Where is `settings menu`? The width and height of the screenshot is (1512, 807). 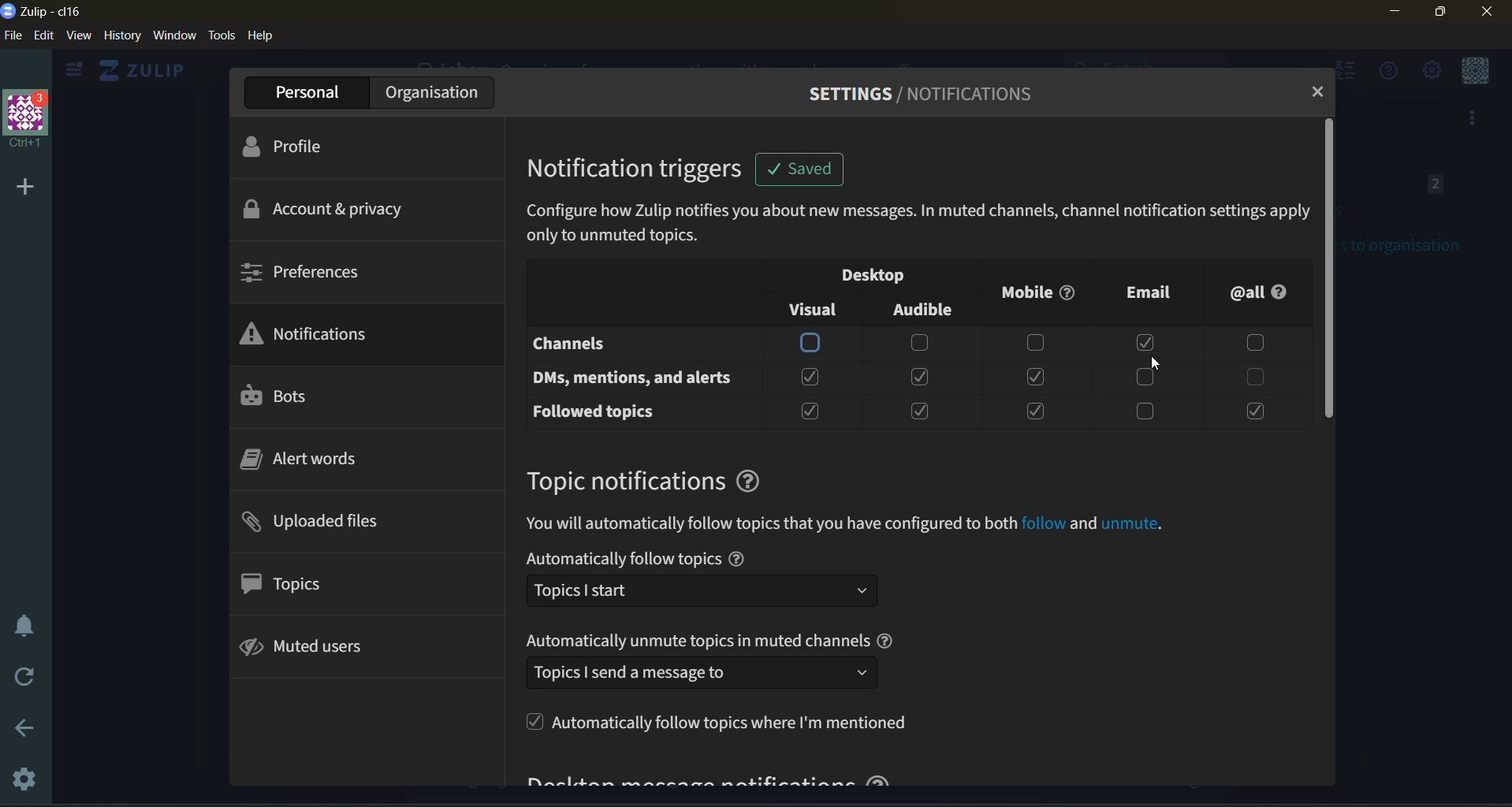 settings menu is located at coordinates (1430, 70).